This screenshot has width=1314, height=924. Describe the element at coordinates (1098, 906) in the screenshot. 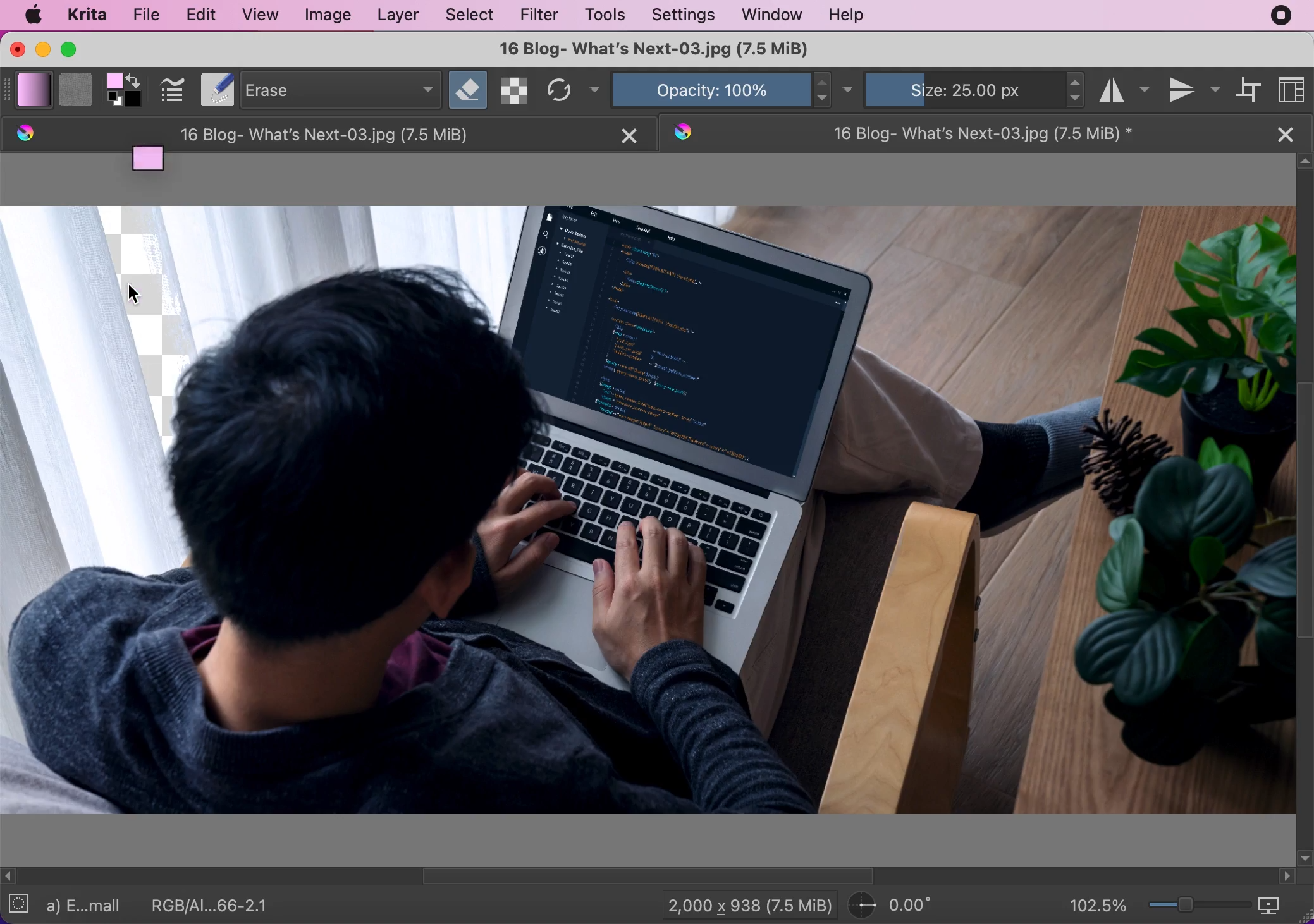

I see `102.5%` at that location.